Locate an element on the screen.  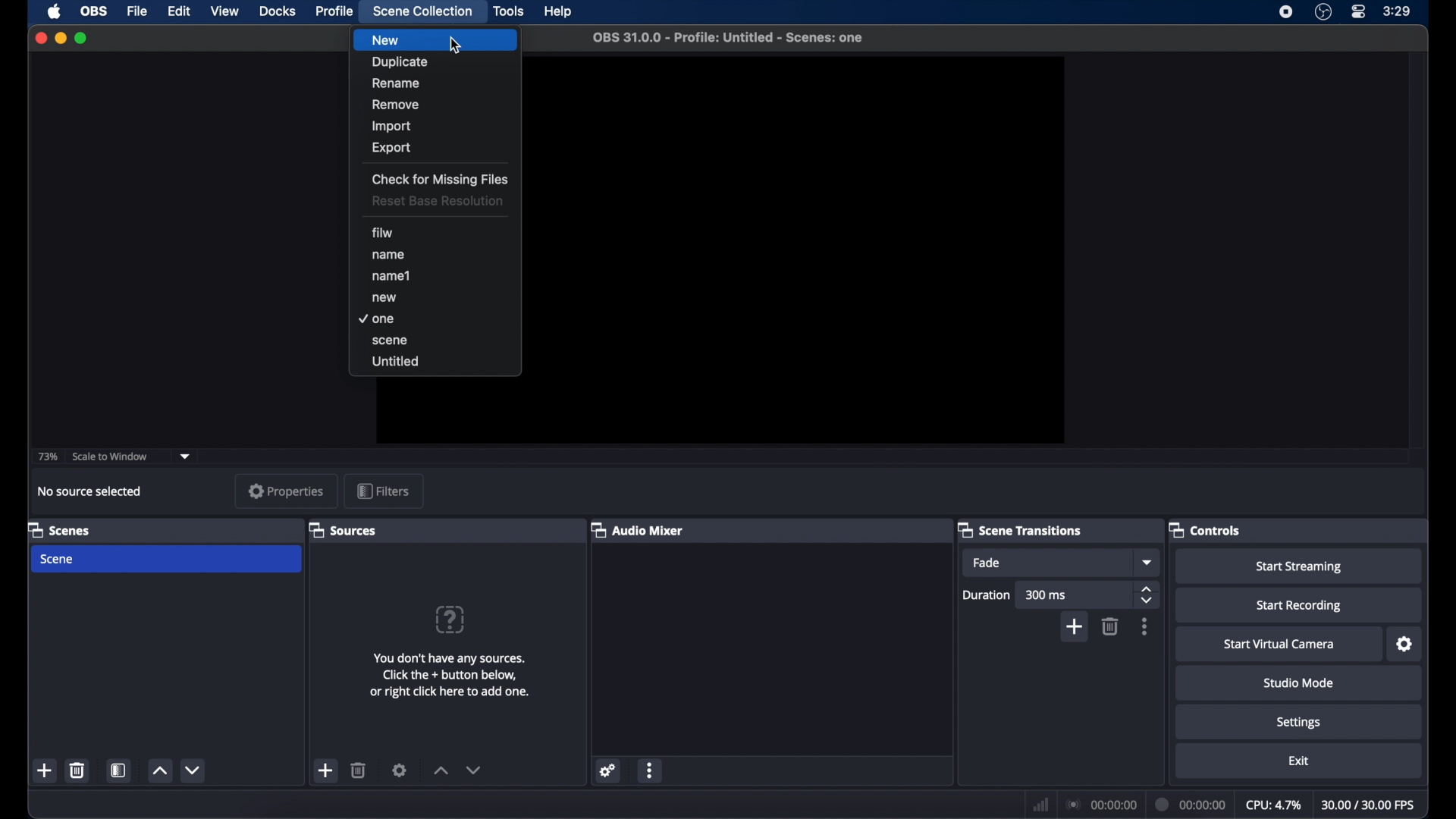
obs is located at coordinates (94, 11).